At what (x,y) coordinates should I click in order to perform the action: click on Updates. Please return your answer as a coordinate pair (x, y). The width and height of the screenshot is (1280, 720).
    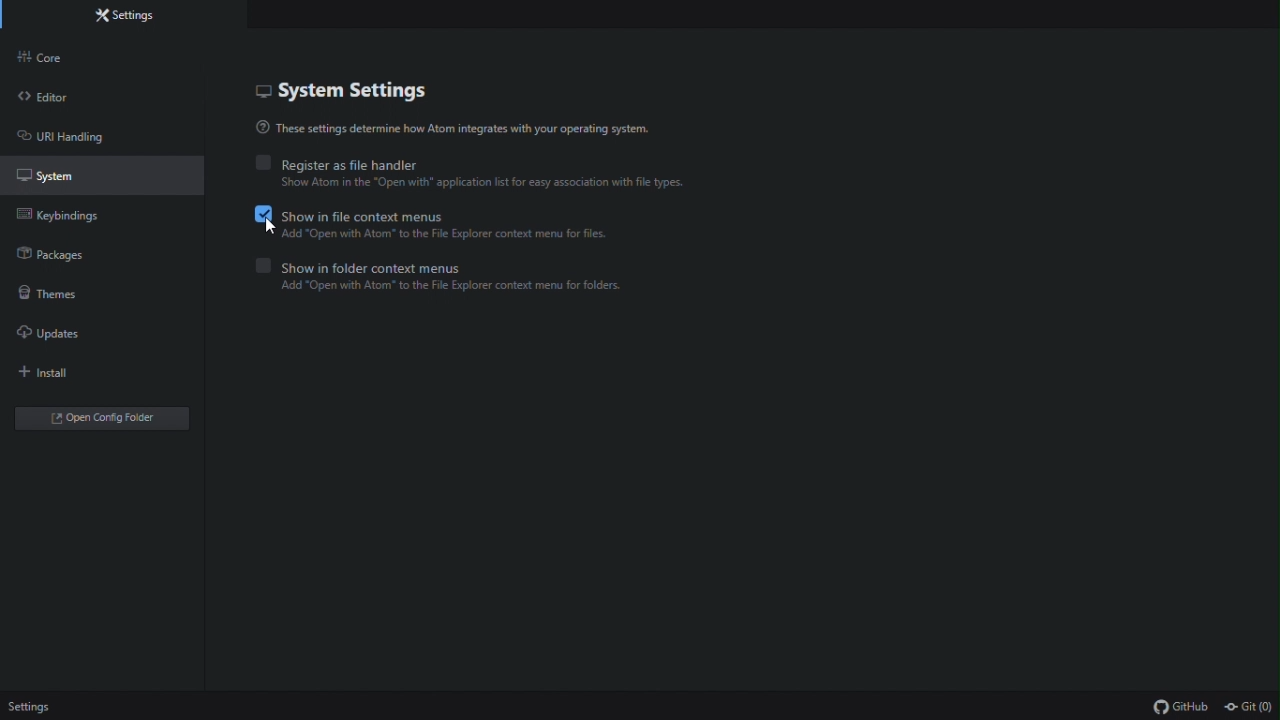
    Looking at the image, I should click on (69, 339).